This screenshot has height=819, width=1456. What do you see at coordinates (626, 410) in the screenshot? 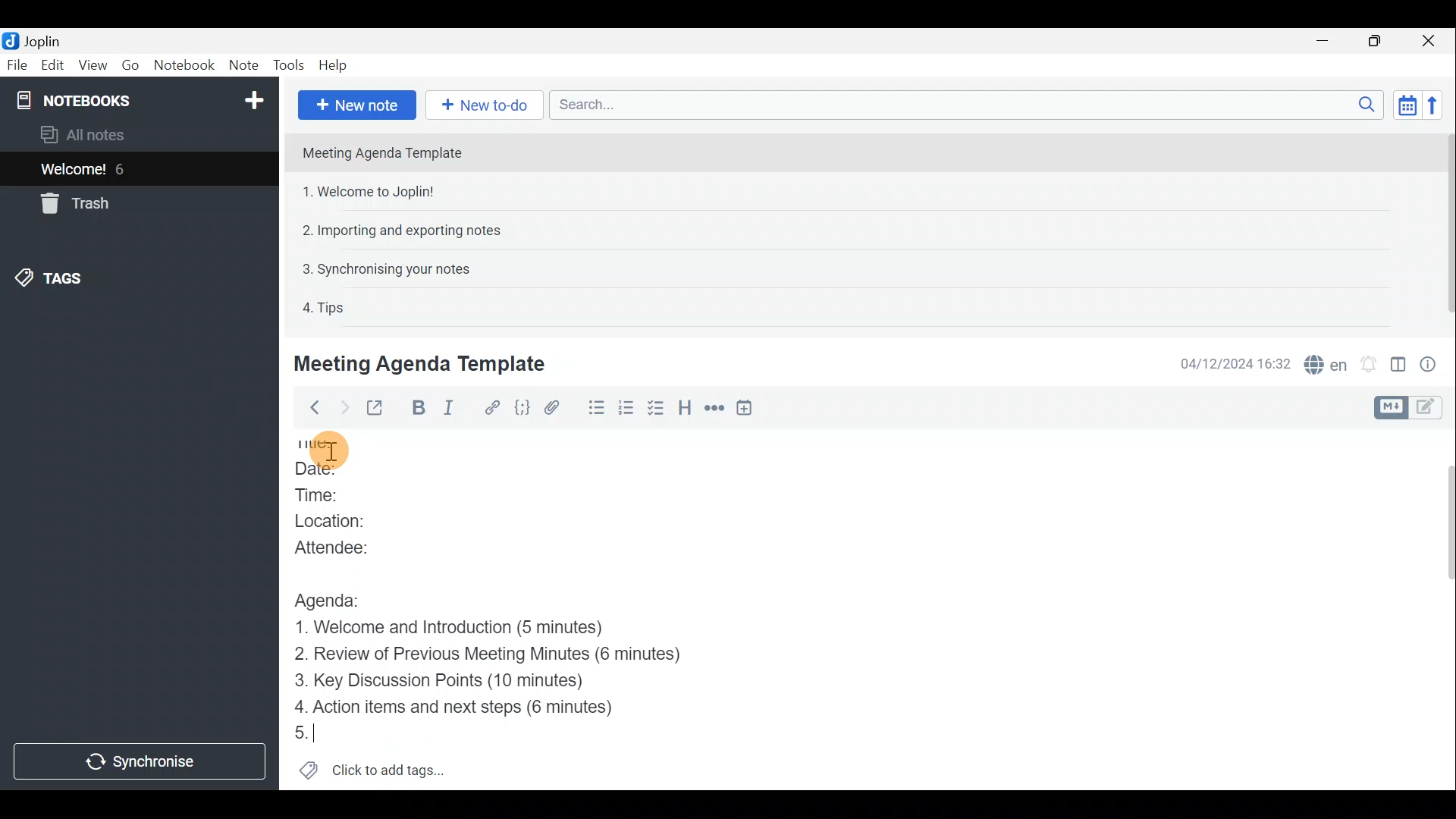
I see `Numbered list` at bounding box center [626, 410].